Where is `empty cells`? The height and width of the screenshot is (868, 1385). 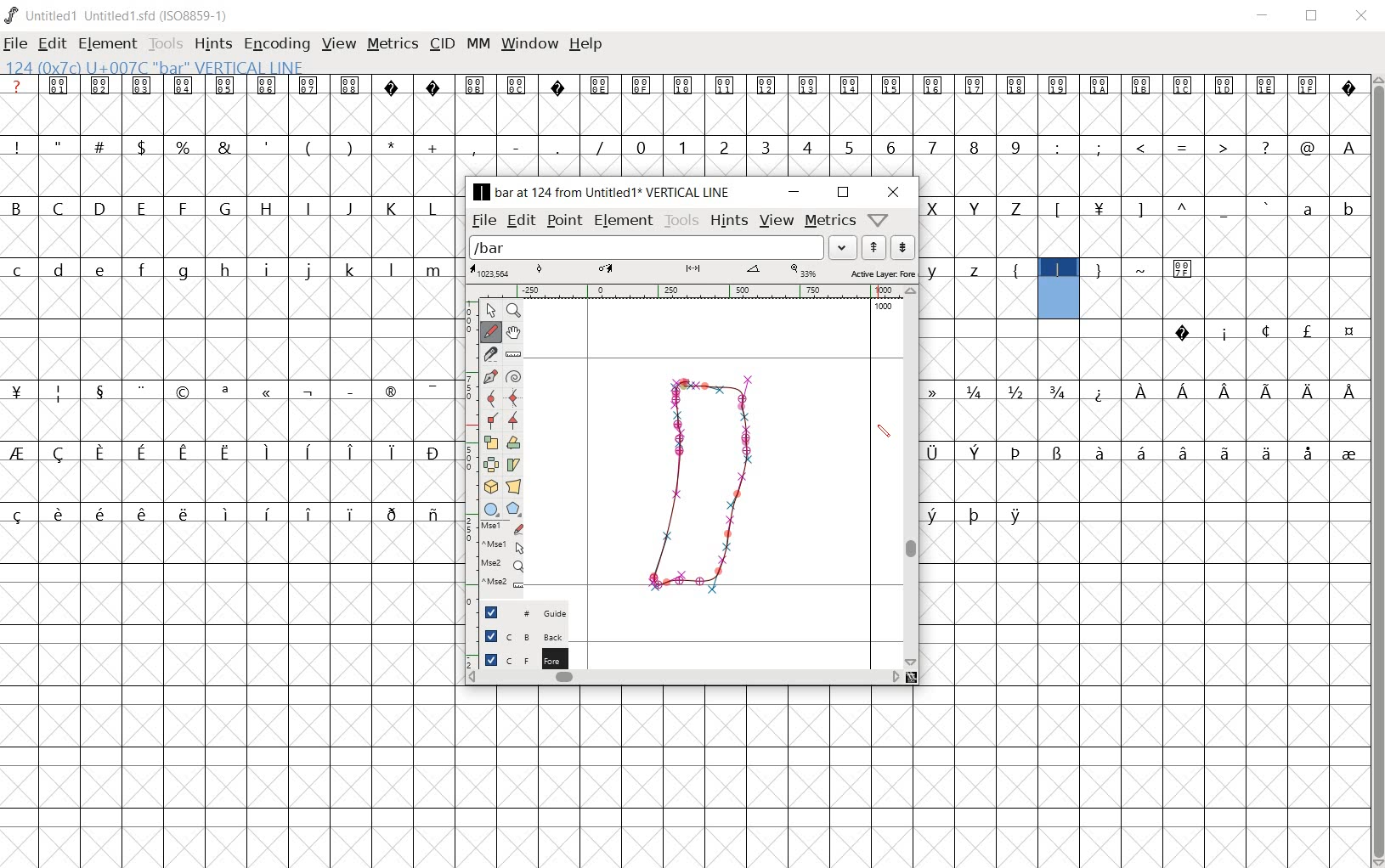
empty cells is located at coordinates (1145, 360).